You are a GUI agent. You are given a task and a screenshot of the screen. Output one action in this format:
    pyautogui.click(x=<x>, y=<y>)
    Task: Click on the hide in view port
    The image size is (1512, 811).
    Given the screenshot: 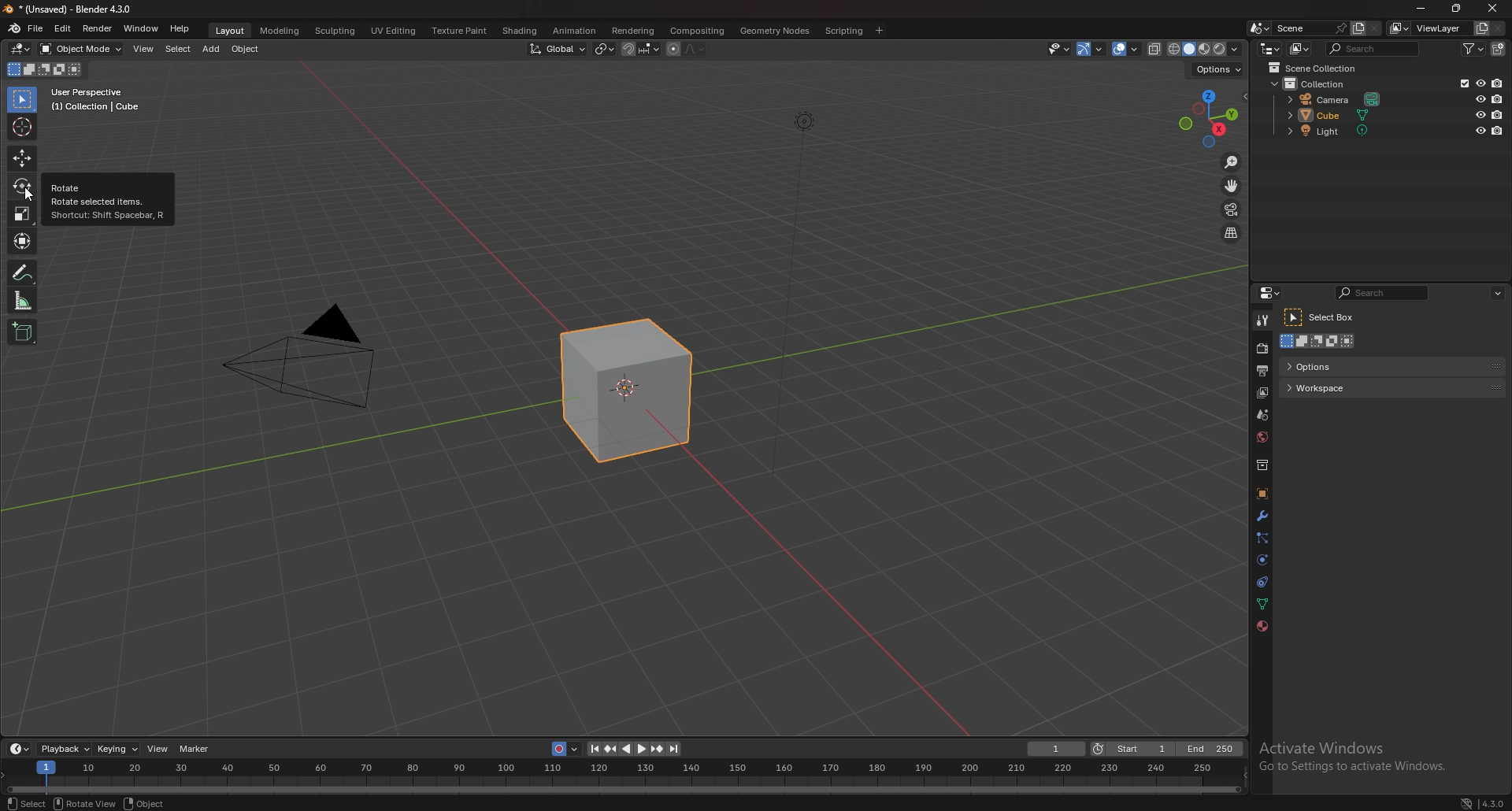 What is the action you would take?
    pyautogui.click(x=1481, y=98)
    